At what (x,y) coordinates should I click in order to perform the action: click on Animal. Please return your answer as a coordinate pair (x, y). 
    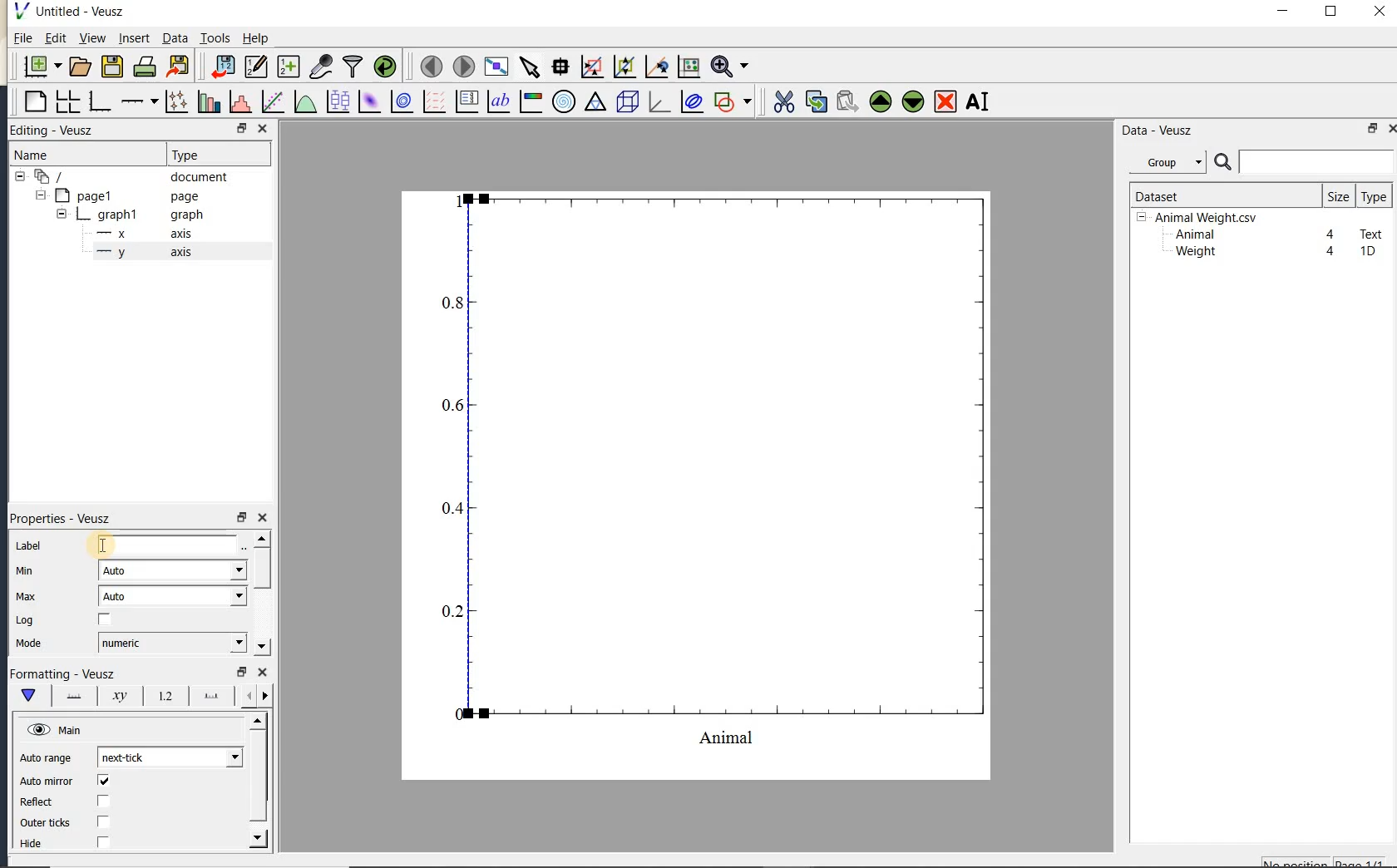
    Looking at the image, I should click on (1193, 235).